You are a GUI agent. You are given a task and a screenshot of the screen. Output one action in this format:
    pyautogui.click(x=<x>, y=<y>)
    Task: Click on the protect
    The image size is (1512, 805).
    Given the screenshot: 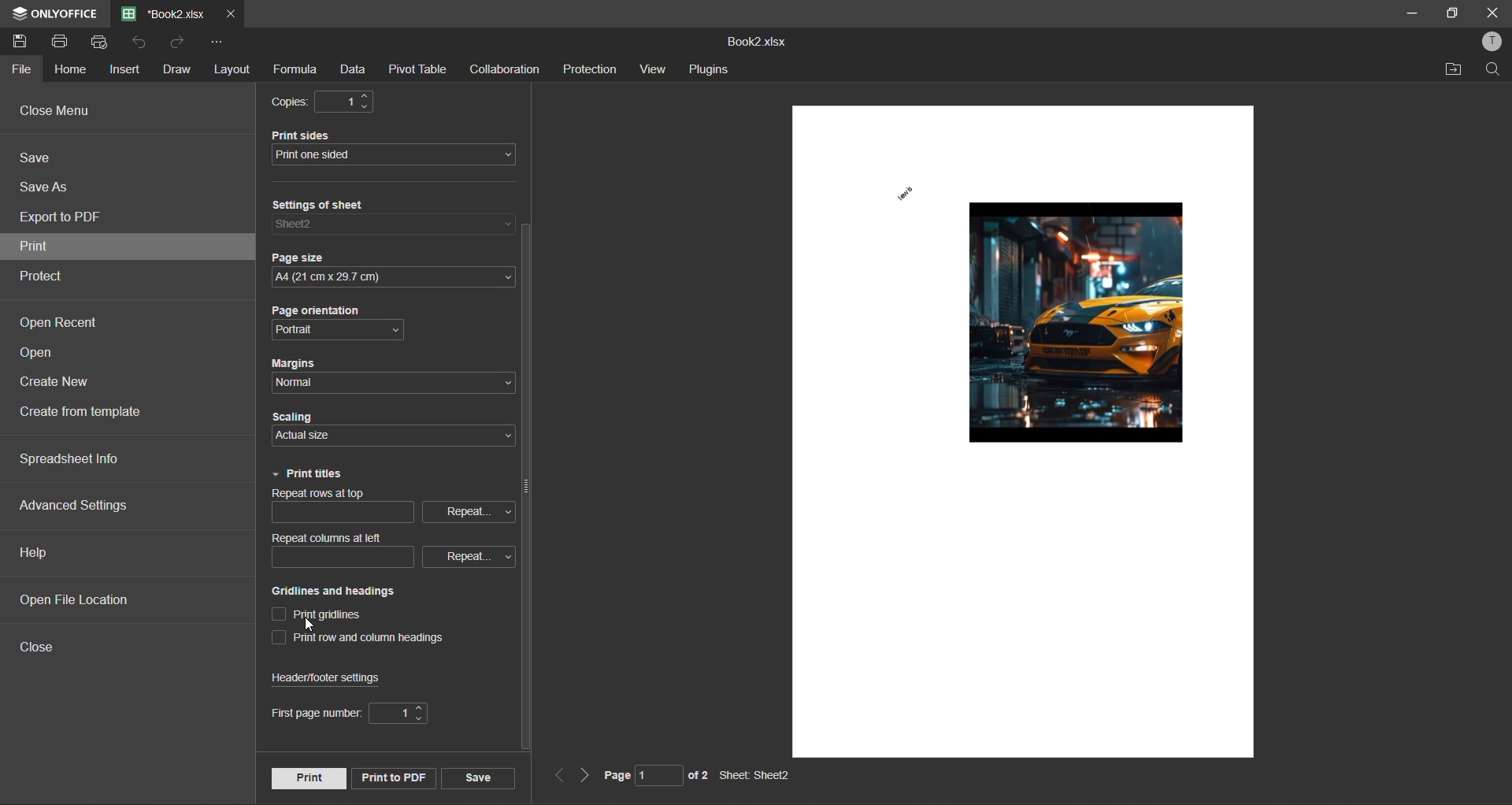 What is the action you would take?
    pyautogui.click(x=43, y=278)
    